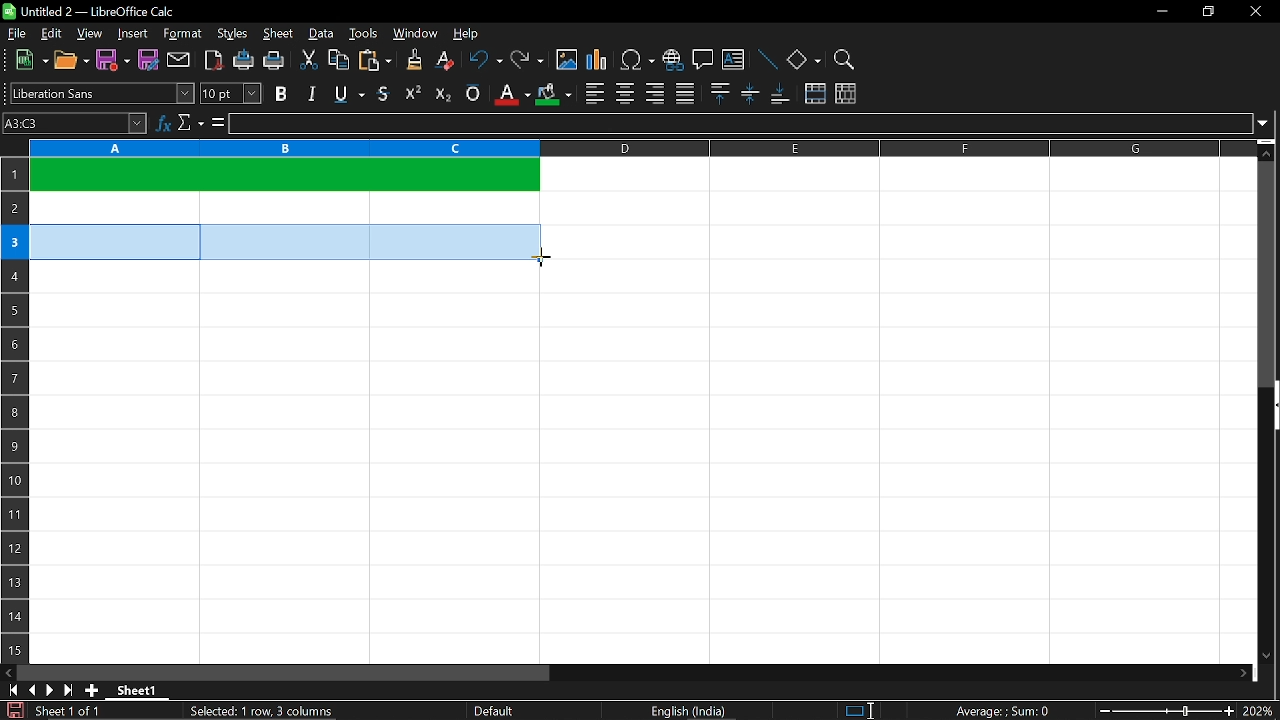 The width and height of the screenshot is (1280, 720). Describe the element at coordinates (48, 34) in the screenshot. I see `edit` at that location.